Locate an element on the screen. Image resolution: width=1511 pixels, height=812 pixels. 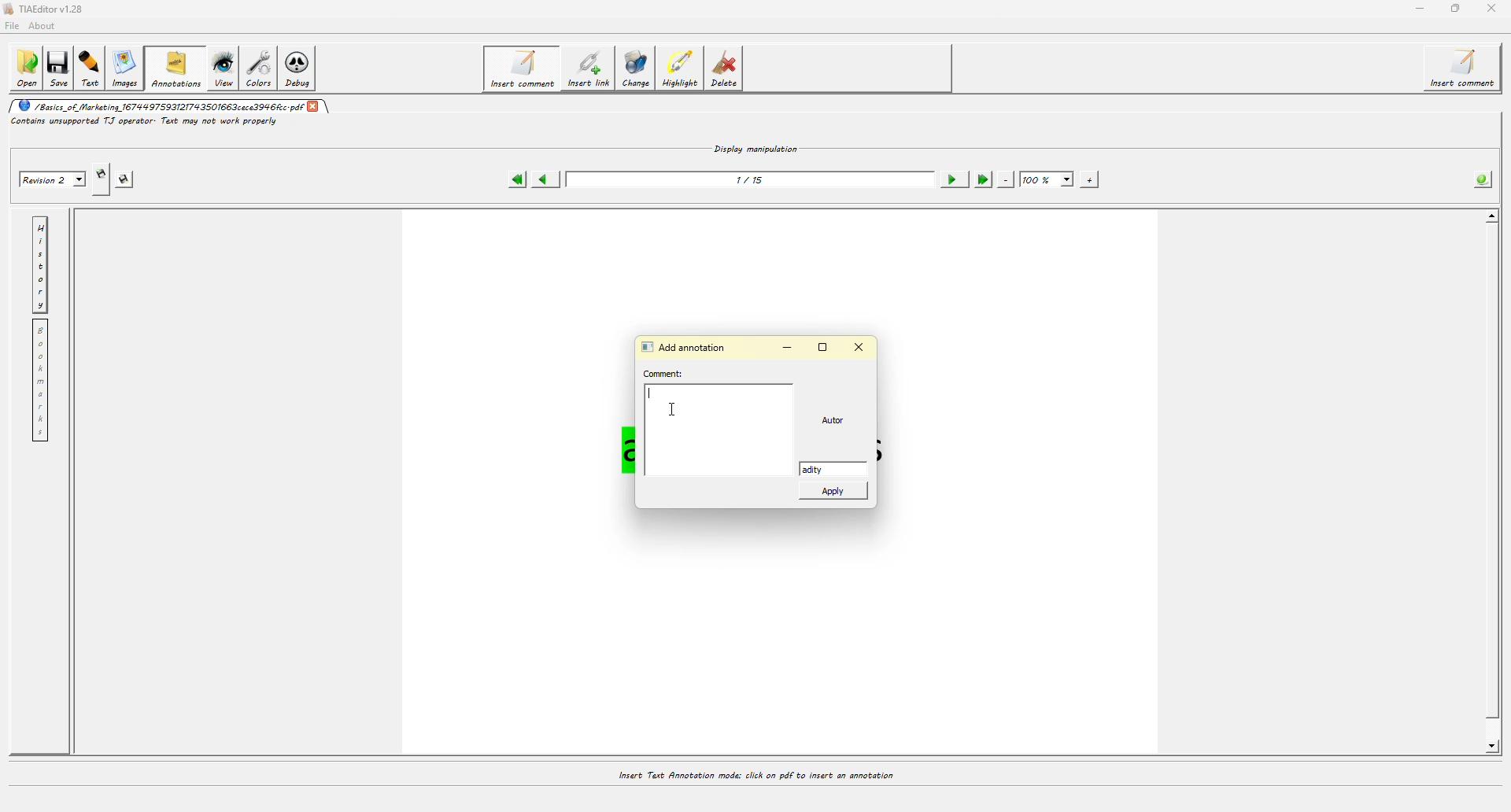
minimize is located at coordinates (792, 349).